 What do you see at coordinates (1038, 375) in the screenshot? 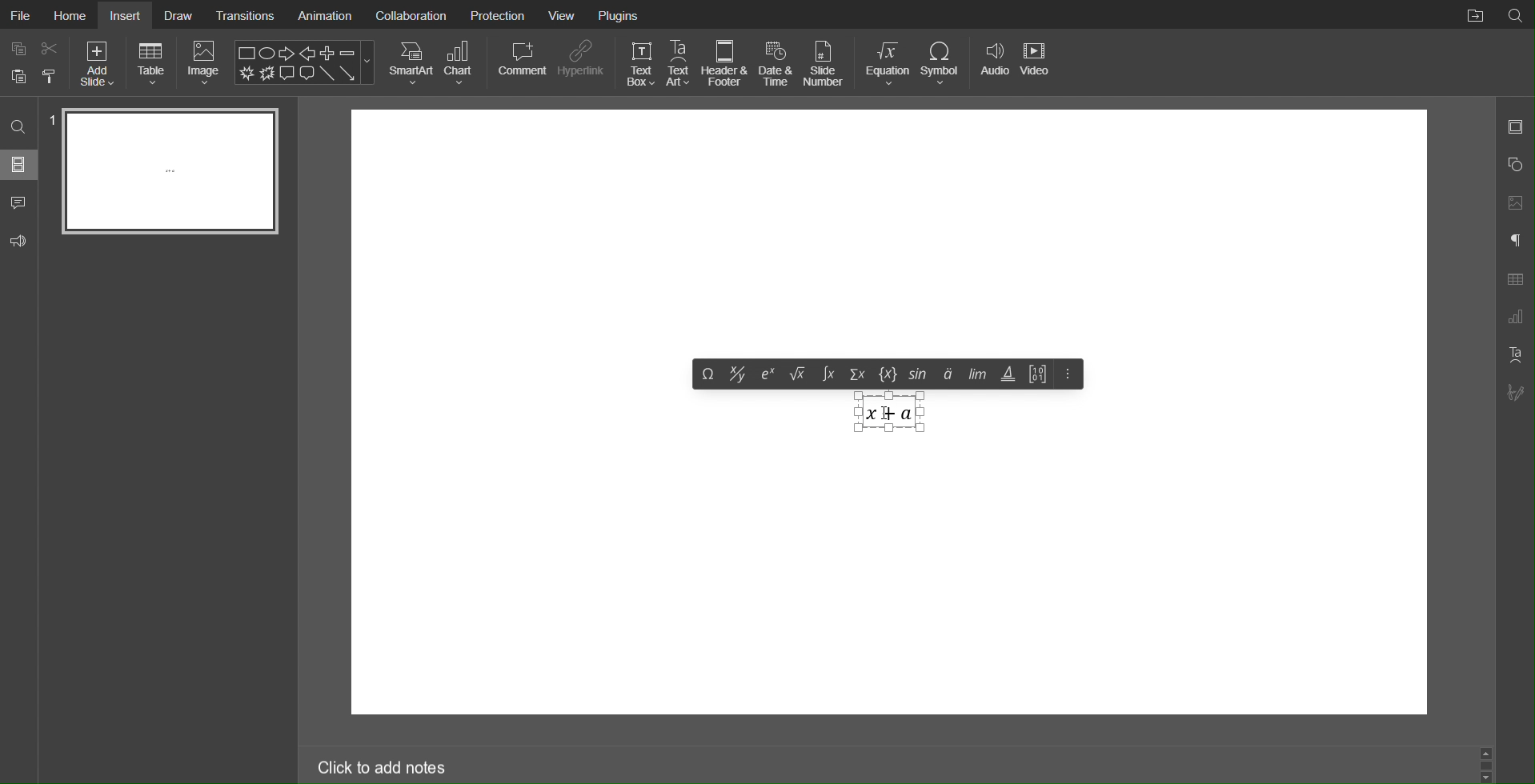
I see `Matrix` at bounding box center [1038, 375].